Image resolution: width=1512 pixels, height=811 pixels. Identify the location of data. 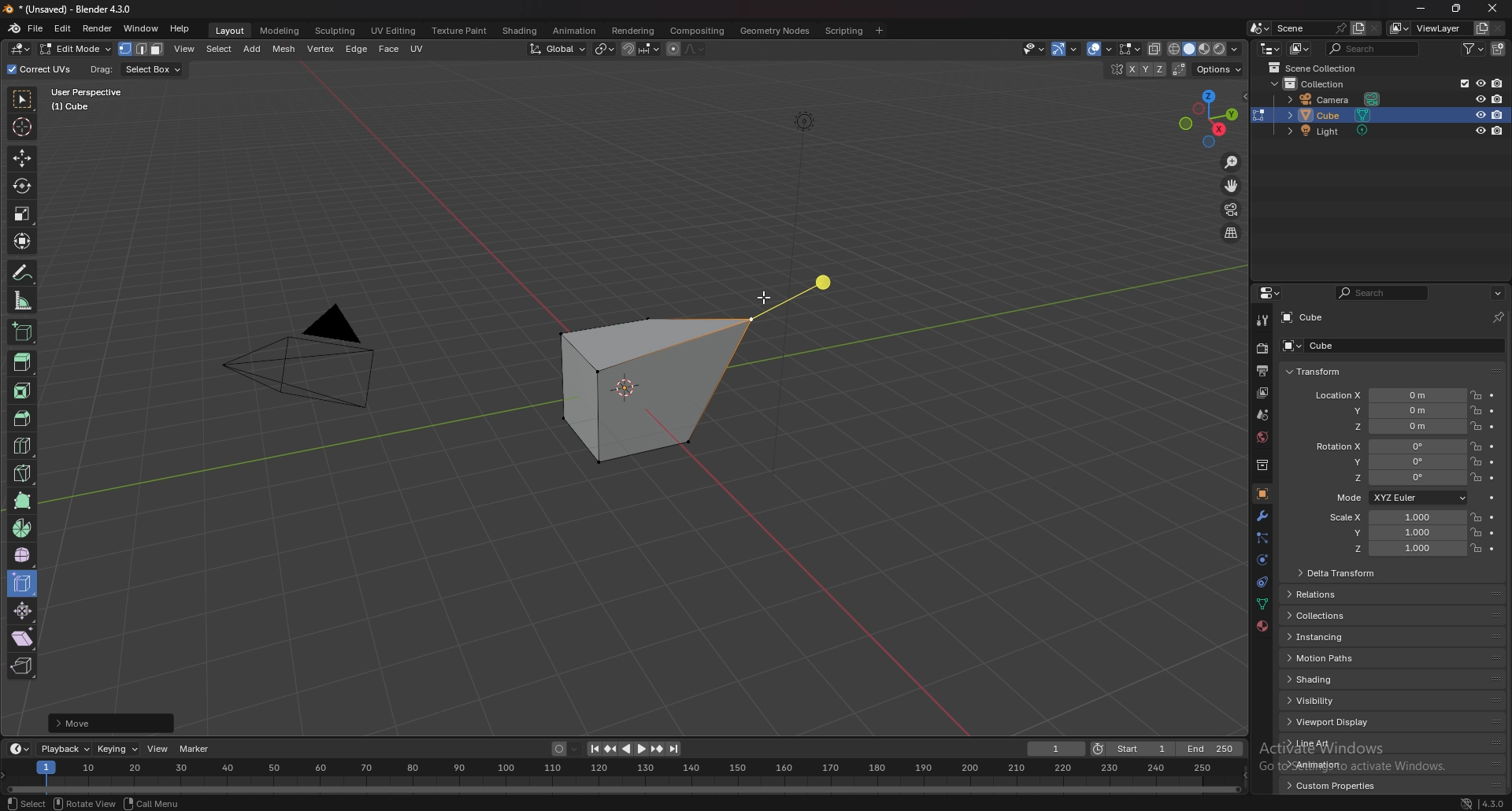
(1262, 604).